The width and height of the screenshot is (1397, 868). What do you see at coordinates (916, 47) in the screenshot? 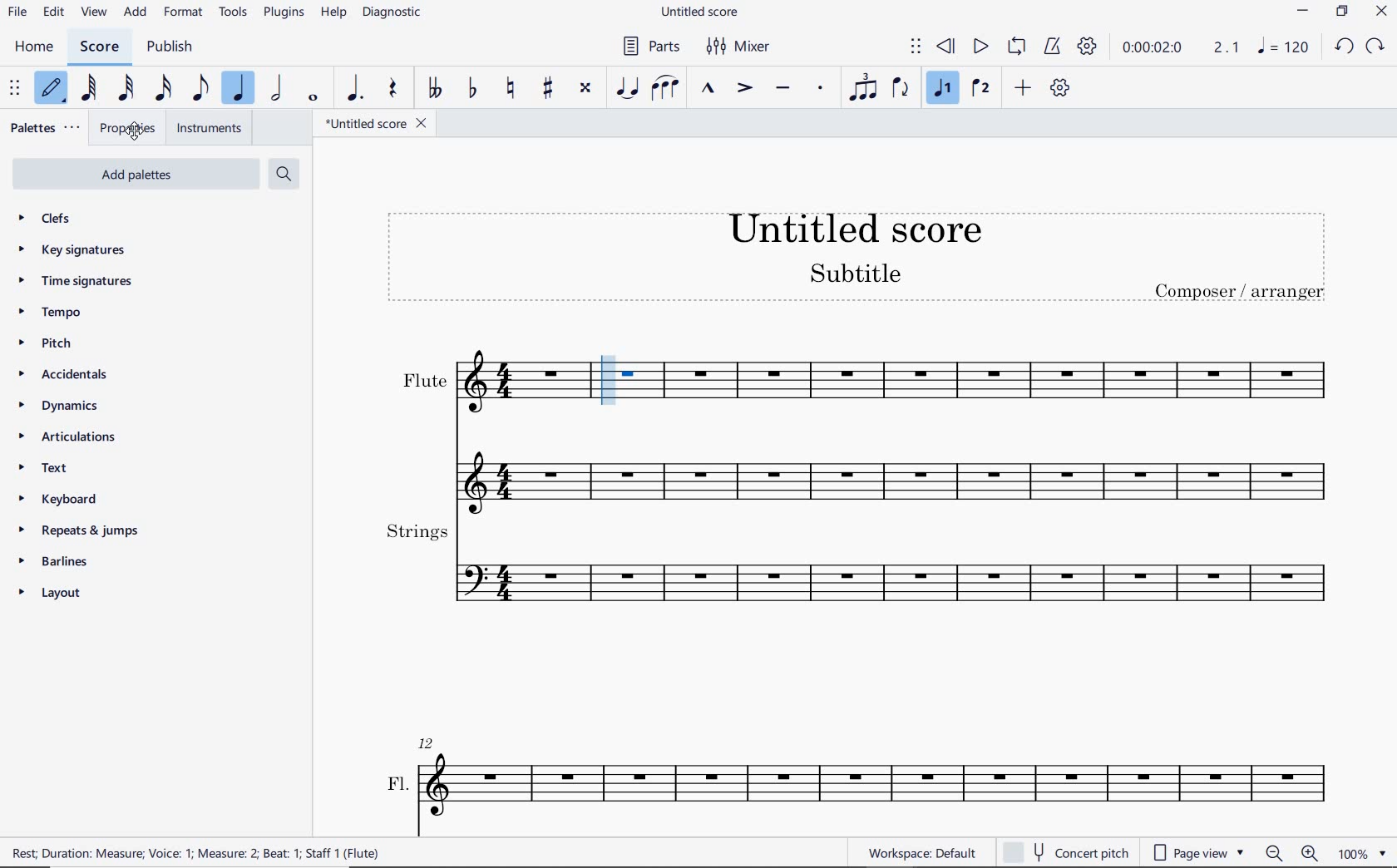
I see `SELECT TO MOVE` at bounding box center [916, 47].